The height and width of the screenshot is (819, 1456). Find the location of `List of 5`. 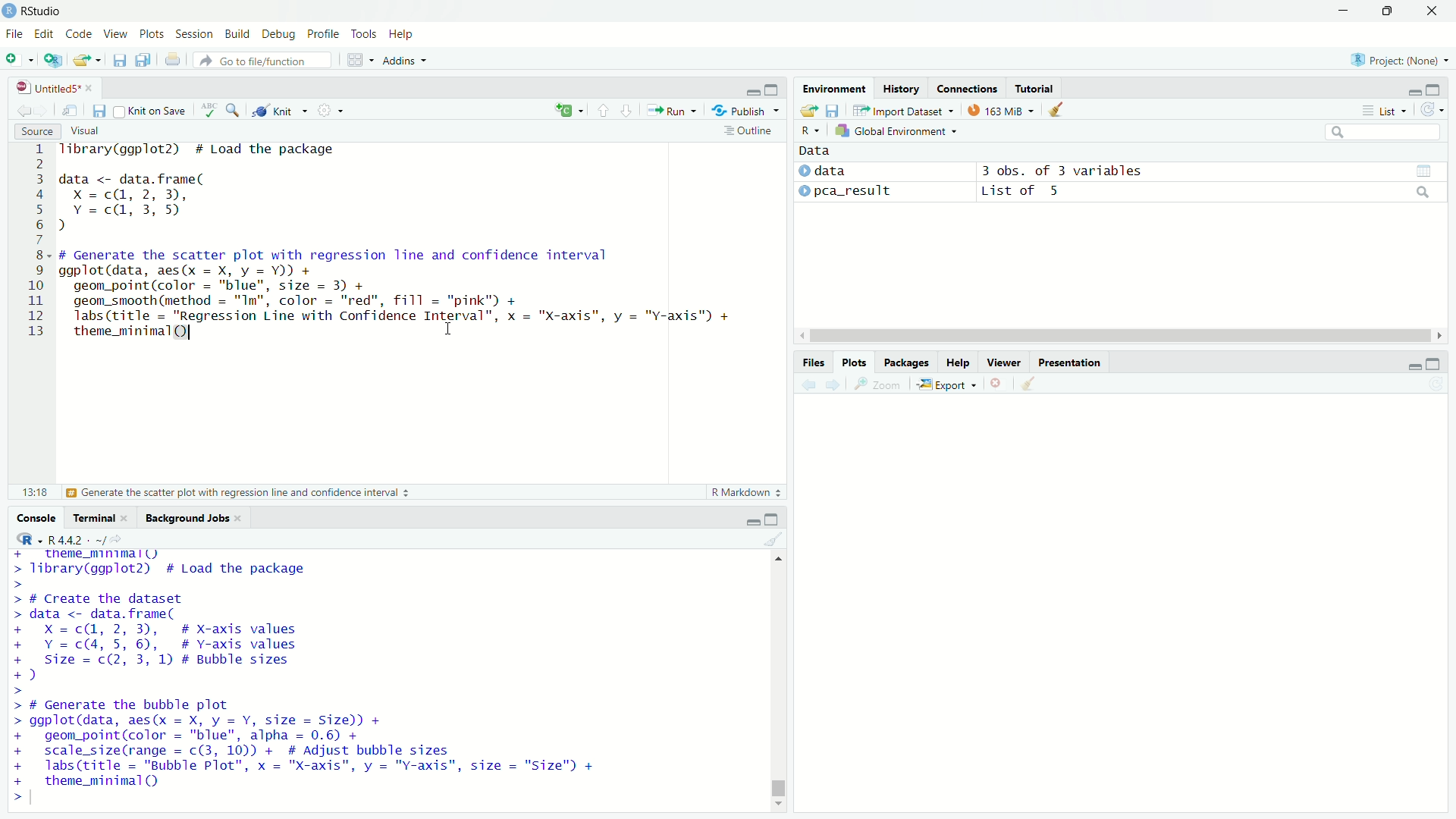

List of 5 is located at coordinates (1024, 191).